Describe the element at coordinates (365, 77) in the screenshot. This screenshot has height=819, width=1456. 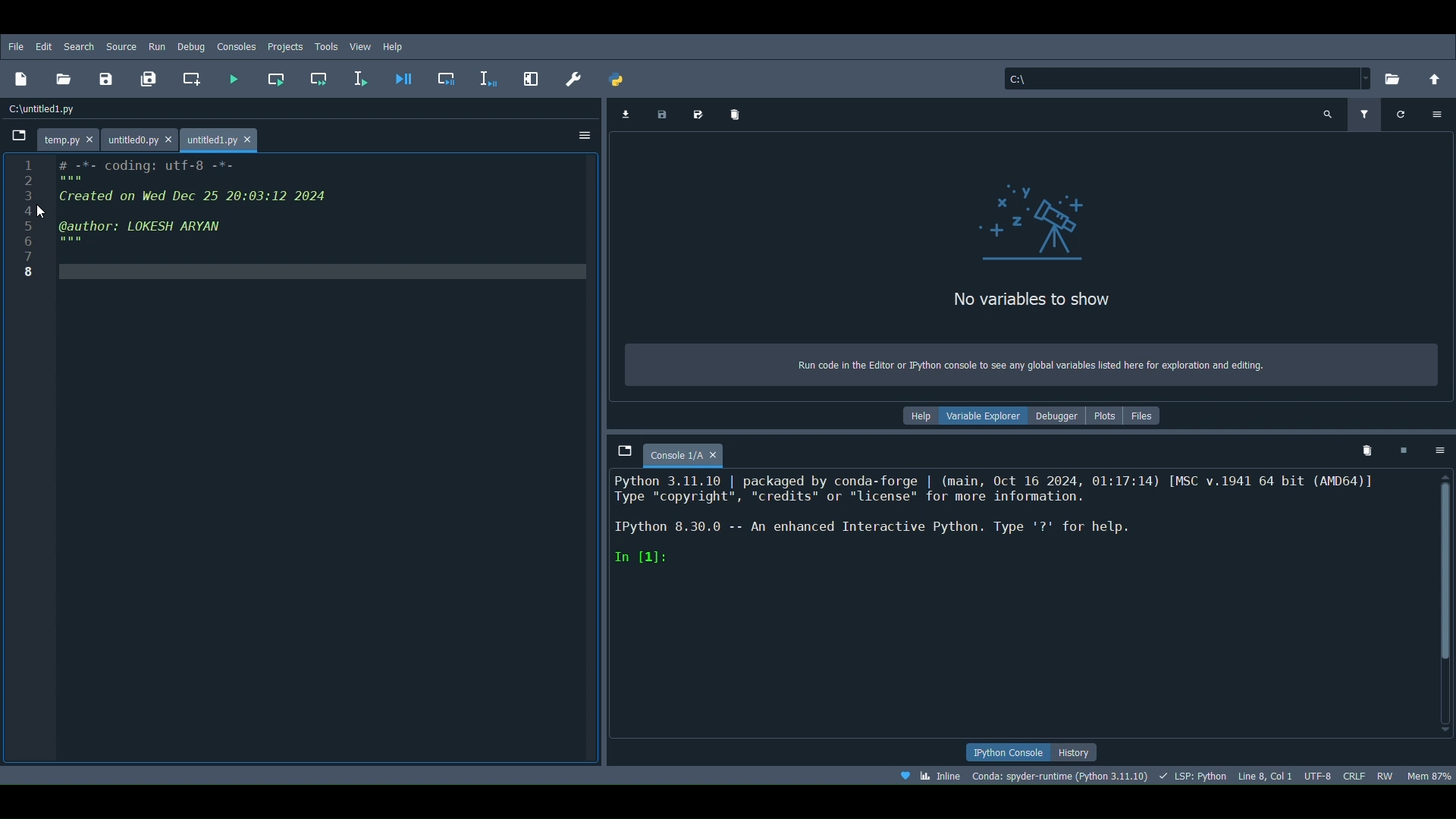
I see `Run selection or current line (F9)` at that location.